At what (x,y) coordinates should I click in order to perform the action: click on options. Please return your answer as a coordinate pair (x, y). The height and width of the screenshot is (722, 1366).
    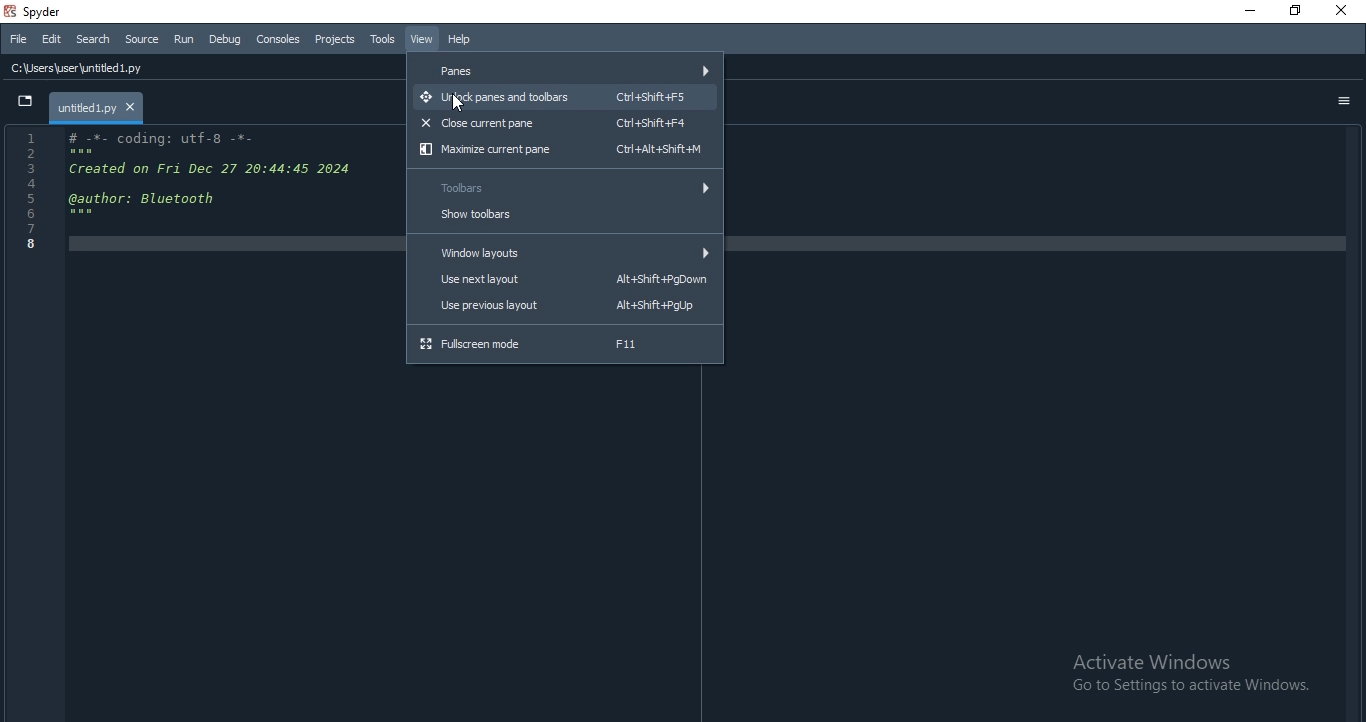
    Looking at the image, I should click on (1344, 102).